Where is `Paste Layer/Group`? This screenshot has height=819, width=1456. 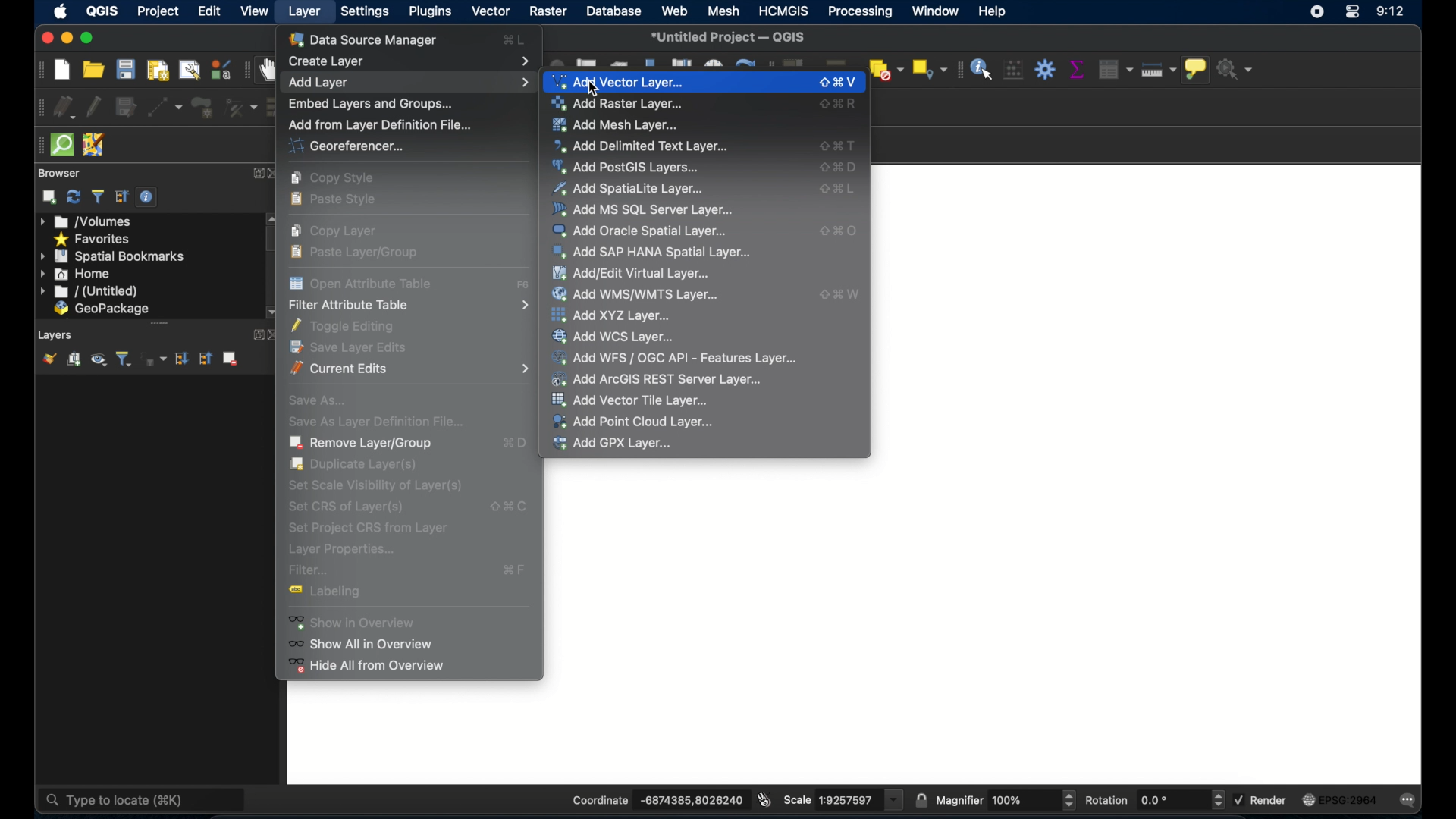 Paste Layer/Group is located at coordinates (384, 253).